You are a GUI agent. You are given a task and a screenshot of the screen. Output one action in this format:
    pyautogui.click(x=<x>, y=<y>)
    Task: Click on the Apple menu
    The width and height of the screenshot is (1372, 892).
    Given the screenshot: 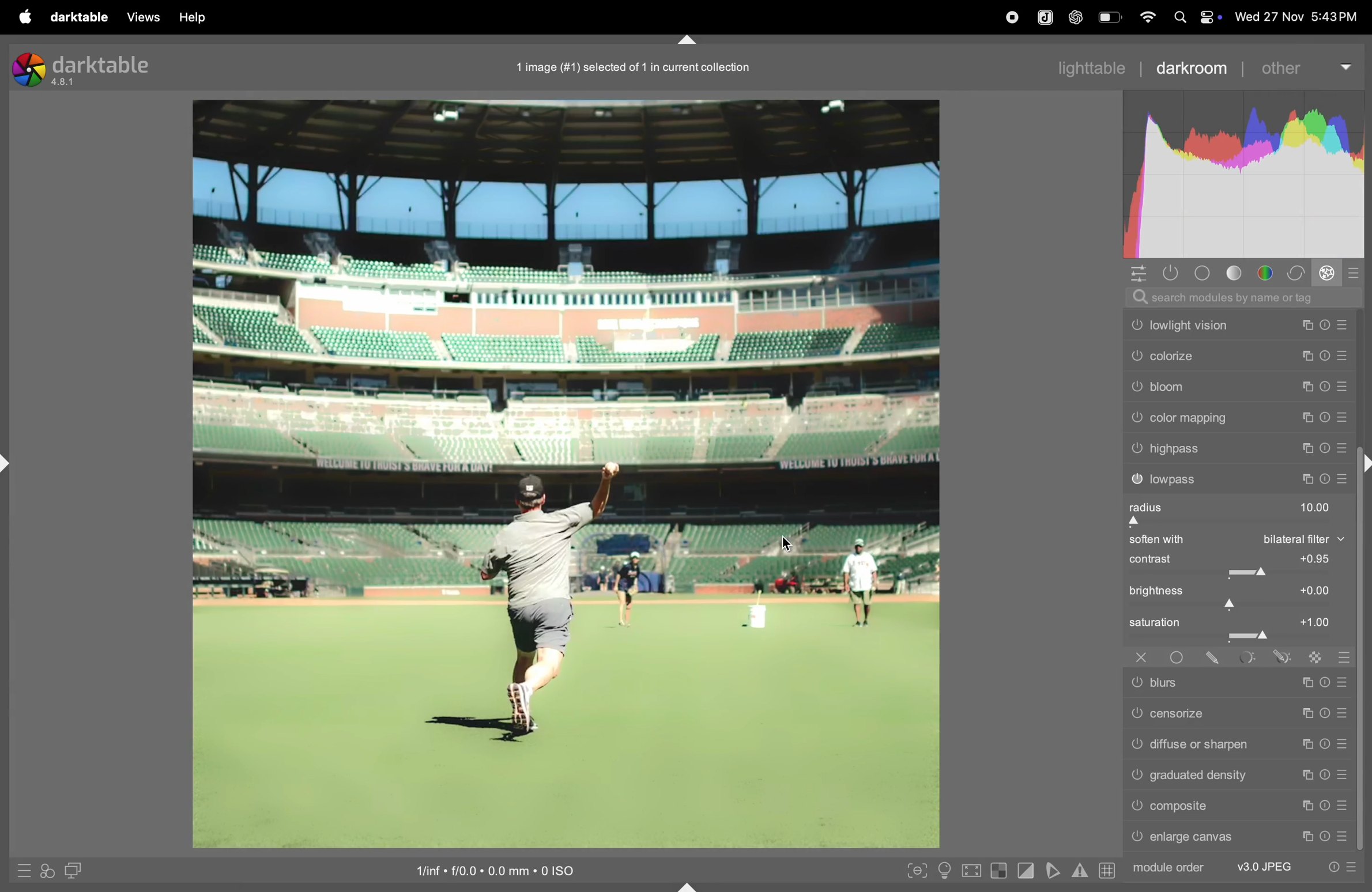 What is the action you would take?
    pyautogui.click(x=24, y=17)
    